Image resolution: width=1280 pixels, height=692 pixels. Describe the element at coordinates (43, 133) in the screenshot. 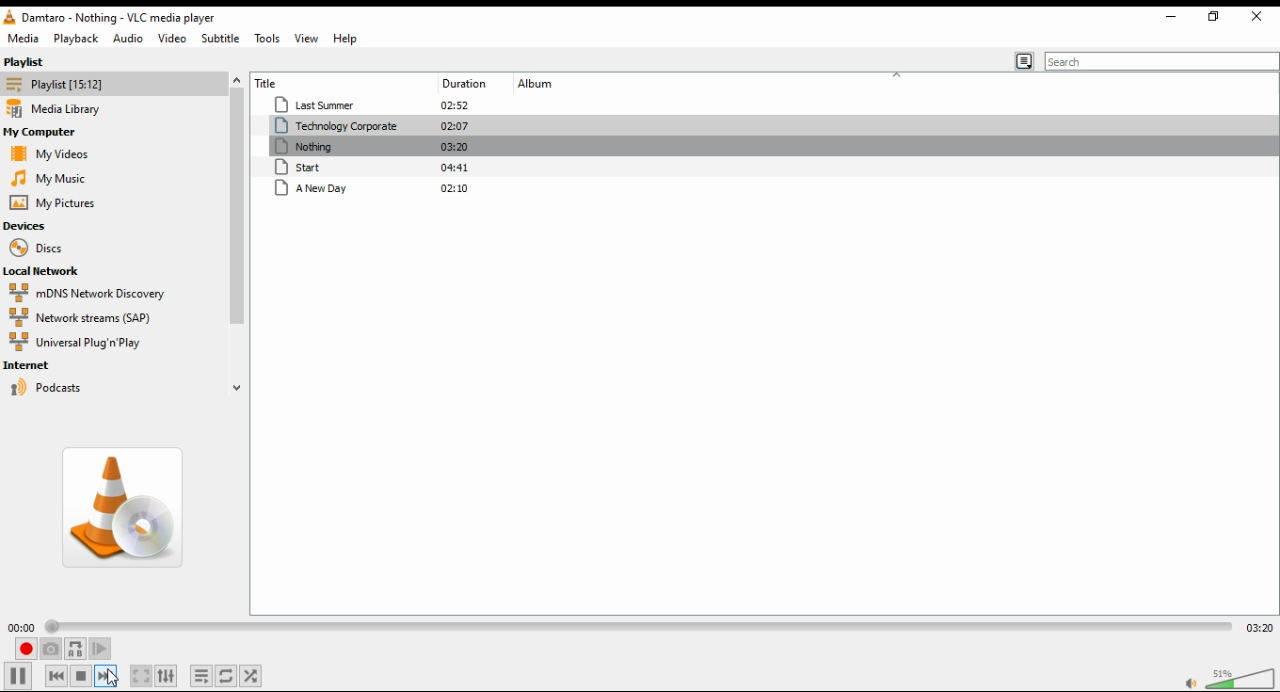

I see `my computer` at that location.